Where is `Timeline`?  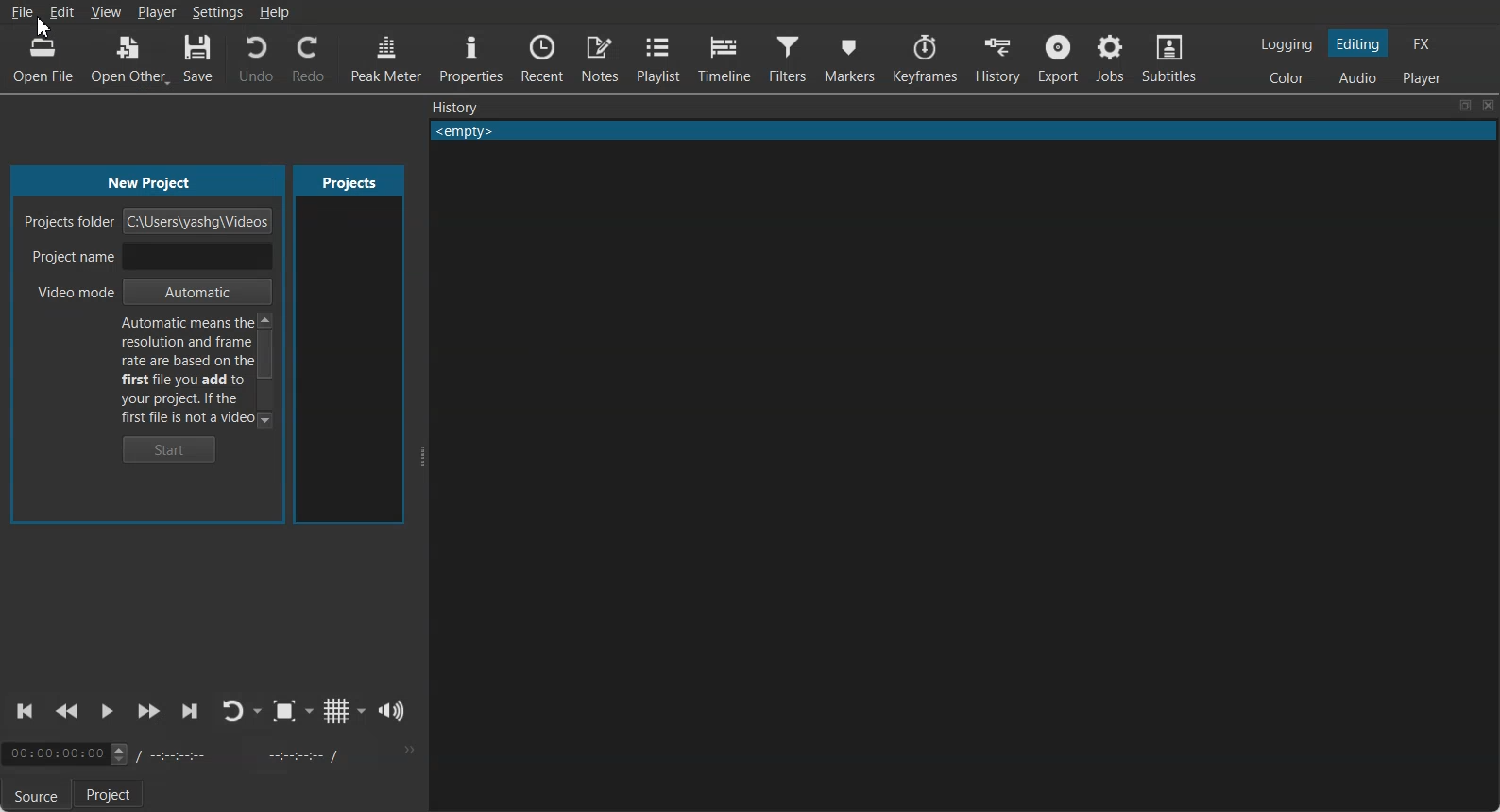
Timeline is located at coordinates (723, 56).